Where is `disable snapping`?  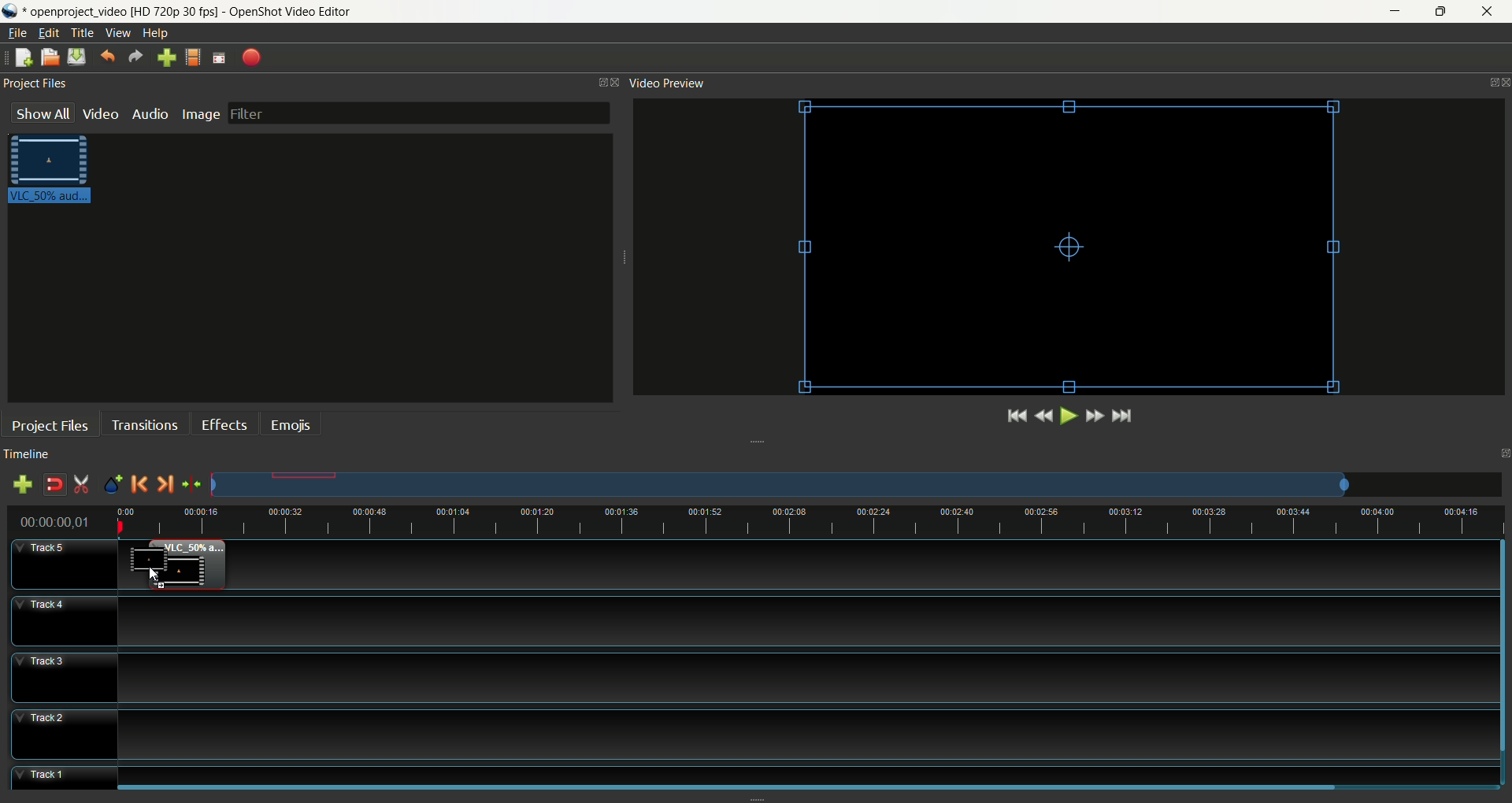
disable snapping is located at coordinates (54, 485).